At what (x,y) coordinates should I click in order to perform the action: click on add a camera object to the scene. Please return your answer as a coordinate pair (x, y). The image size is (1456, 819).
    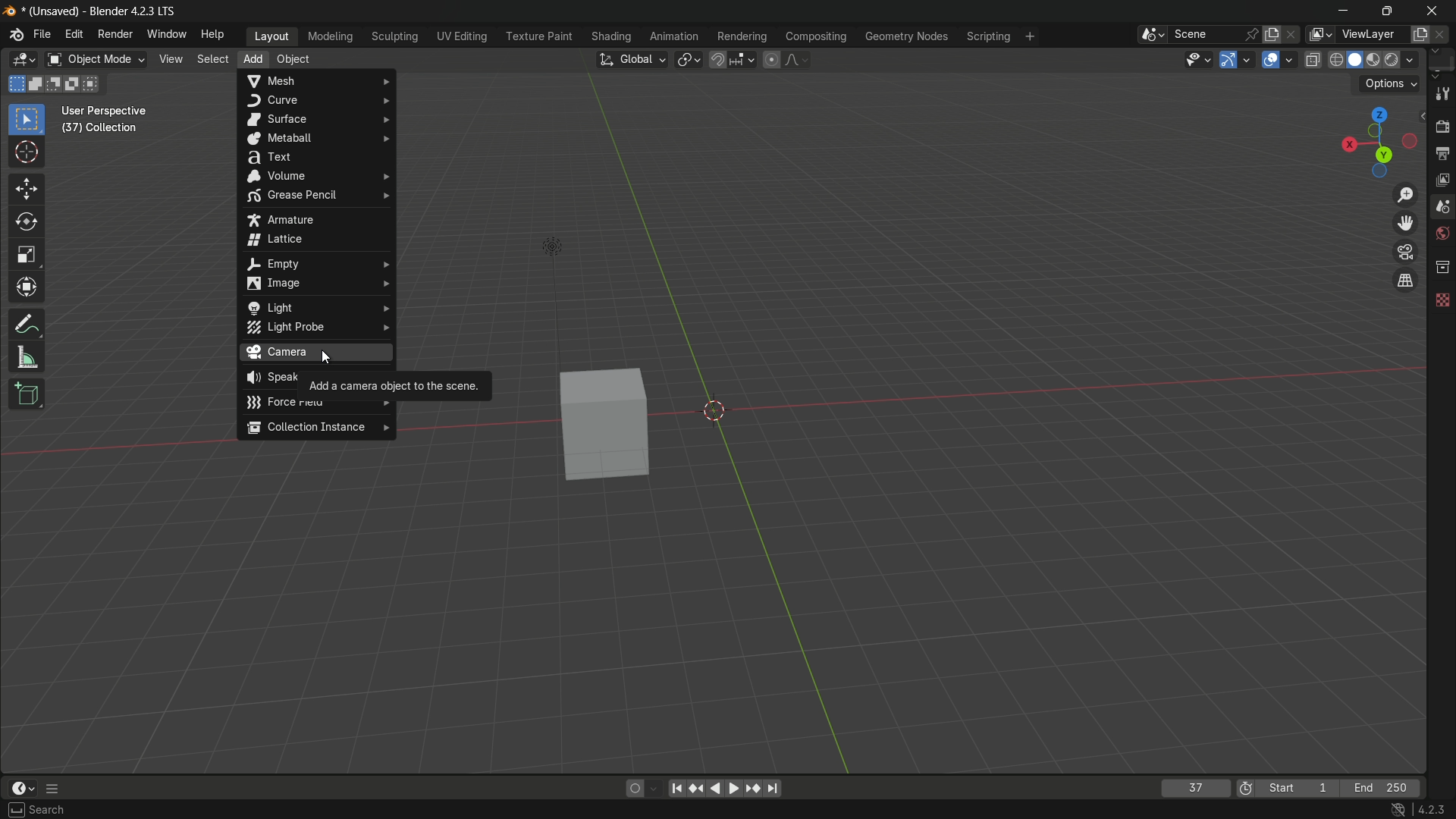
    Looking at the image, I should click on (398, 387).